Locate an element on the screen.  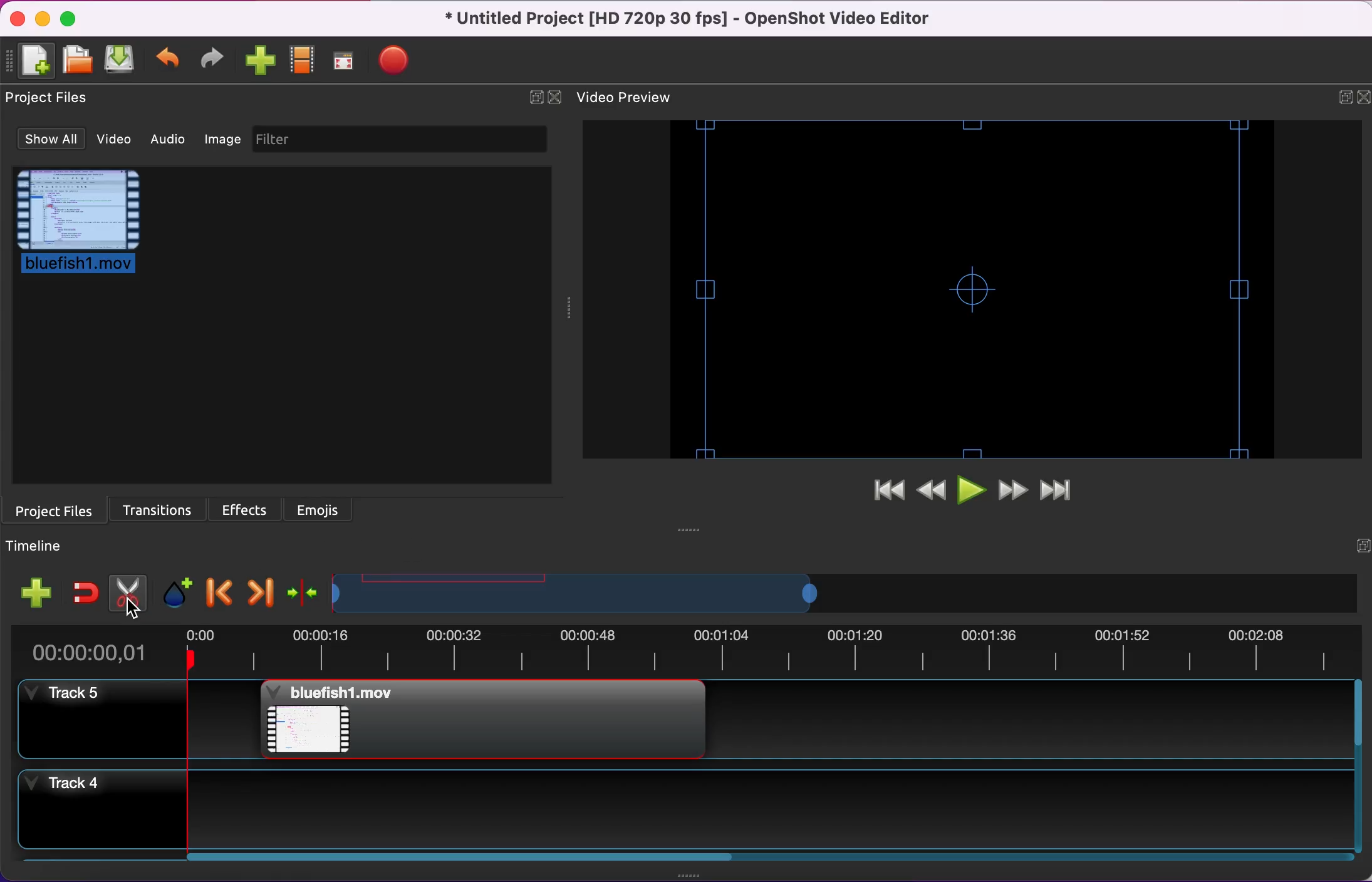
enable snapping is located at coordinates (83, 588).